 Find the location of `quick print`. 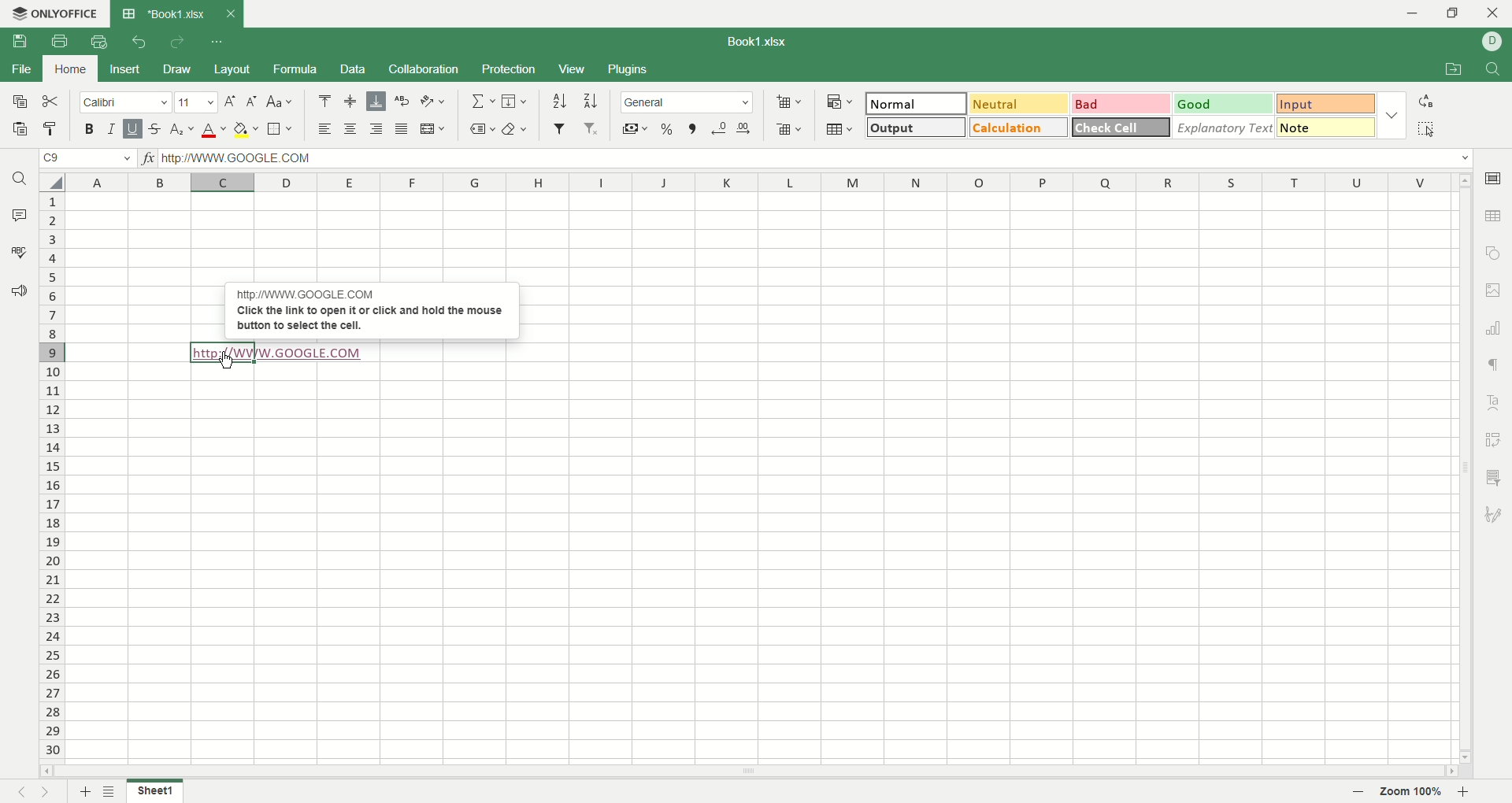

quick print is located at coordinates (102, 40).